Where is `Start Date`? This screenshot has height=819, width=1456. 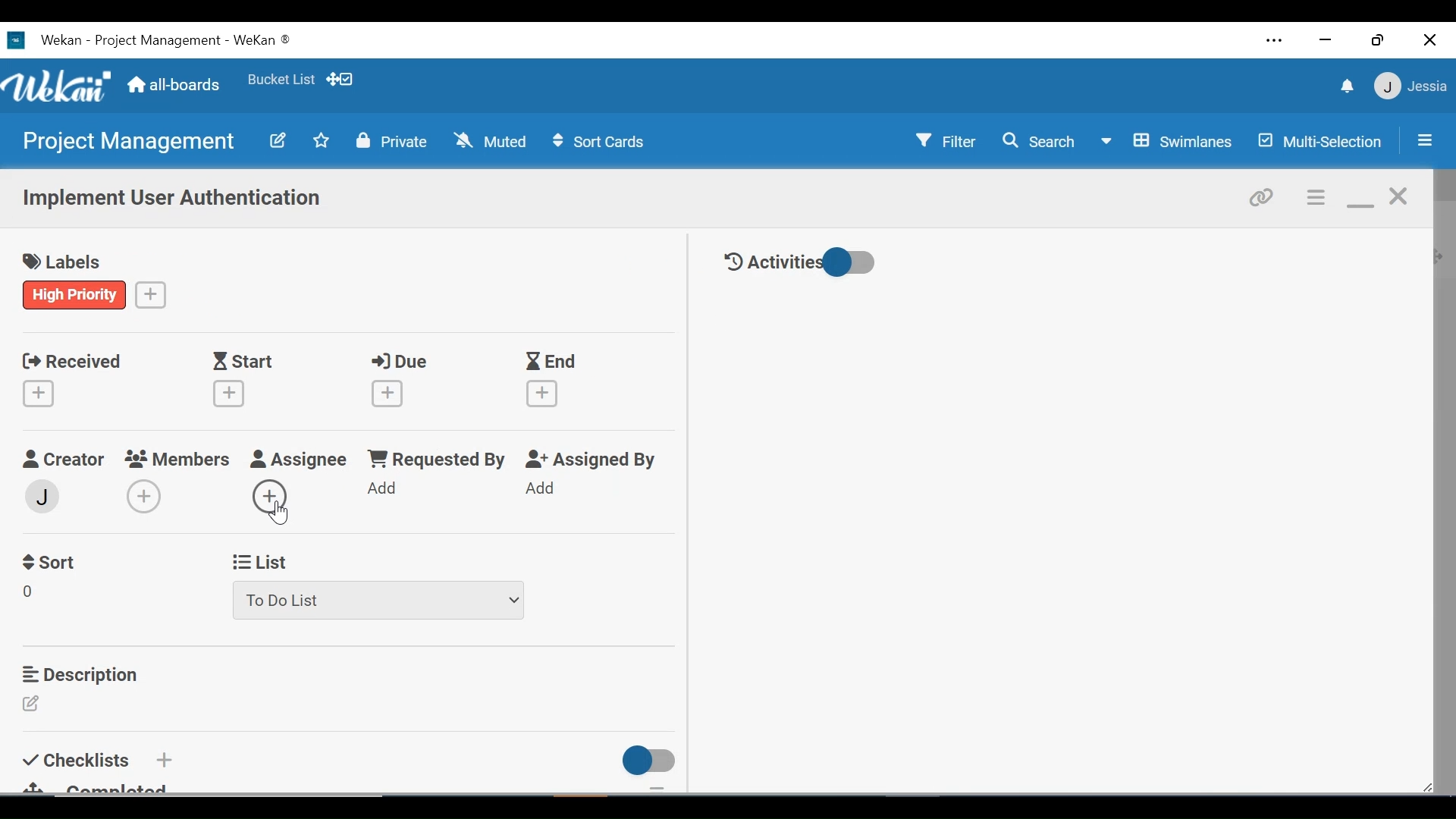 Start Date is located at coordinates (246, 362).